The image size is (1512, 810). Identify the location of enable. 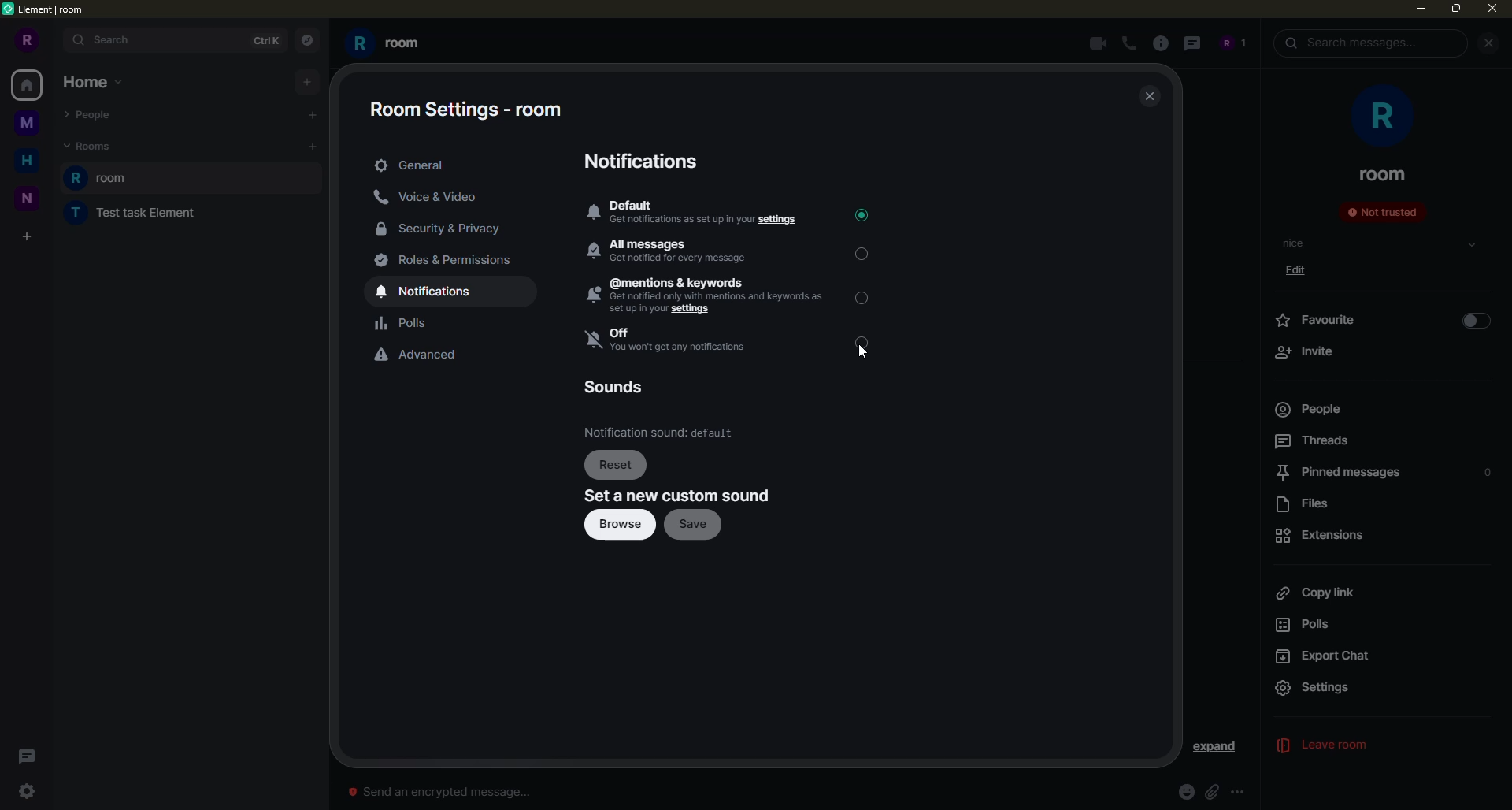
(1476, 321).